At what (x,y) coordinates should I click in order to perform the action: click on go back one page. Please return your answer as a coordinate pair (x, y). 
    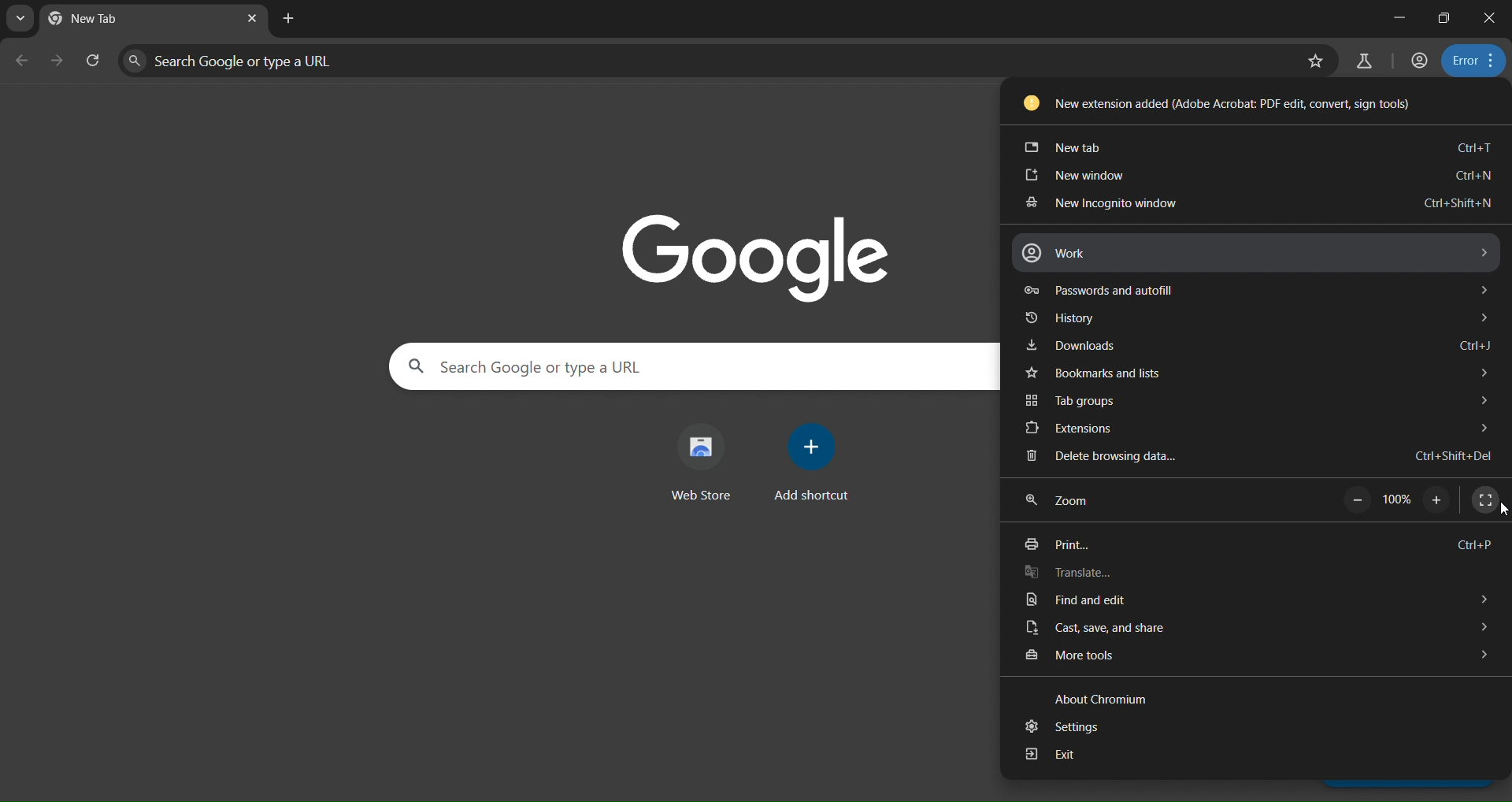
    Looking at the image, I should click on (20, 60).